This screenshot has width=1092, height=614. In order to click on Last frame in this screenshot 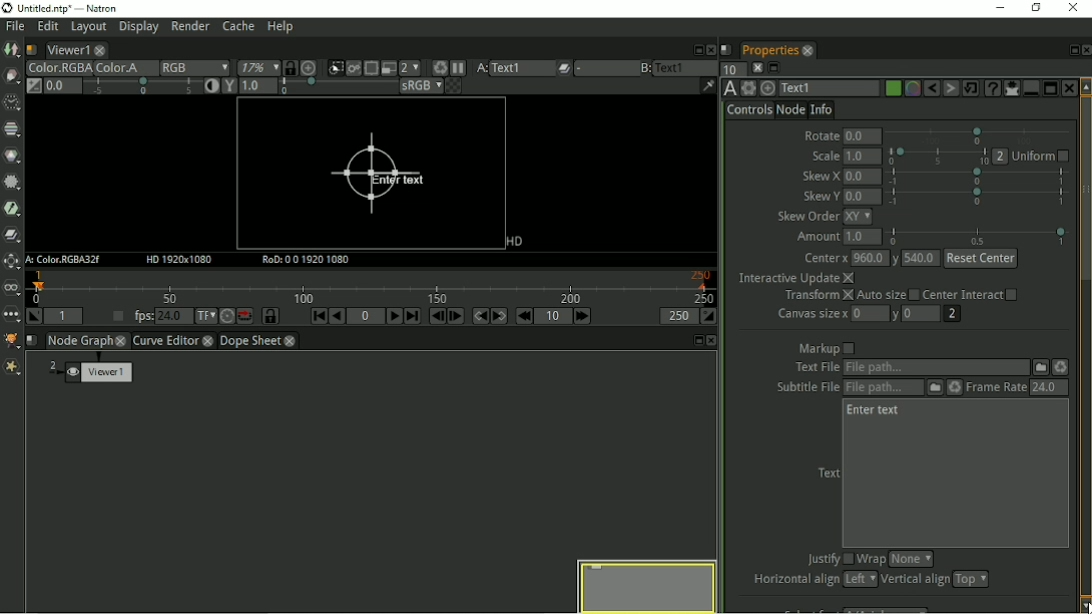, I will do `click(412, 316)`.